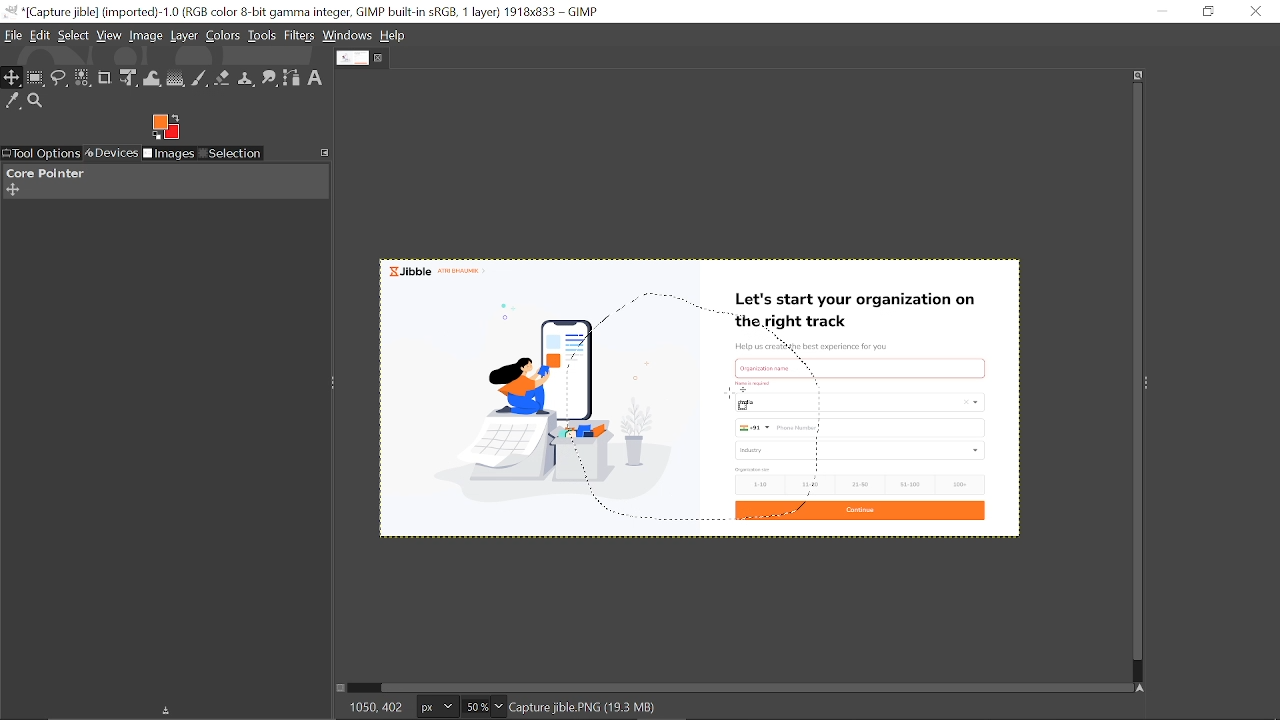  Describe the element at coordinates (1210, 11) in the screenshot. I see `Restore down` at that location.